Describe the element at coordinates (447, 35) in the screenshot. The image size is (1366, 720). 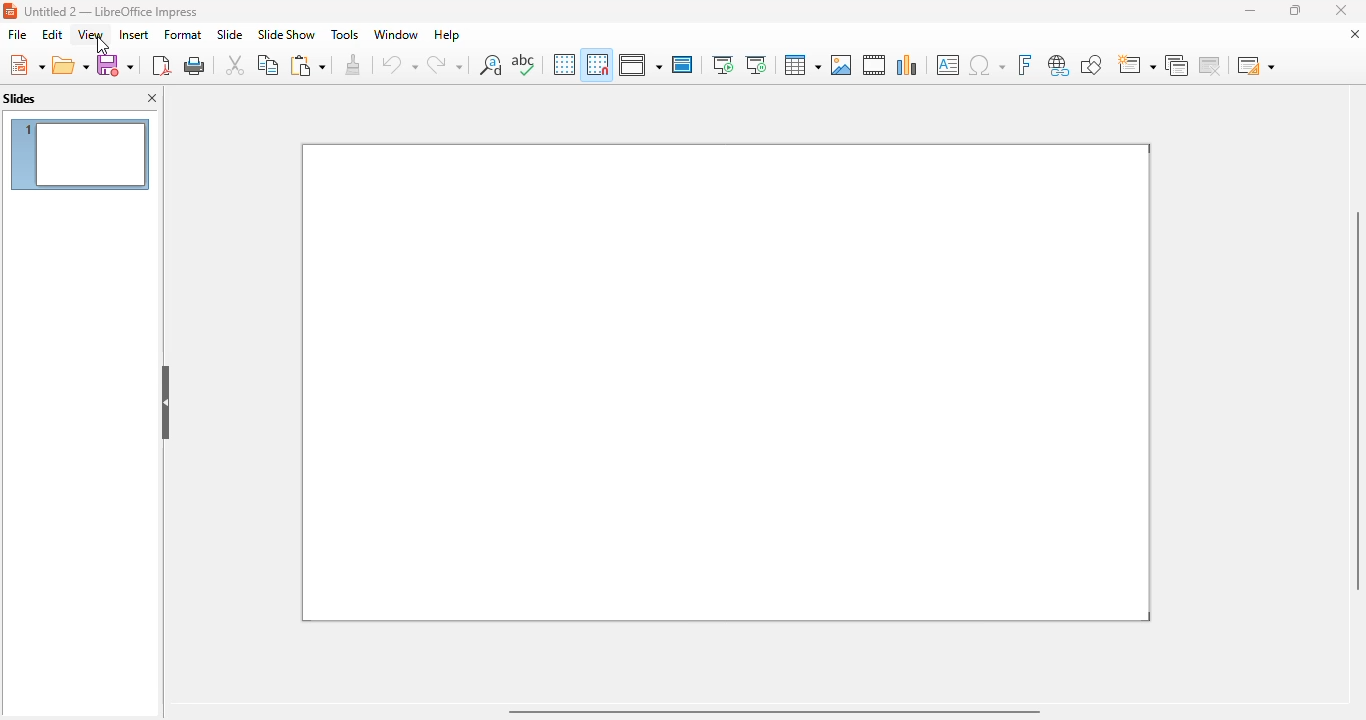
I see `help` at that location.